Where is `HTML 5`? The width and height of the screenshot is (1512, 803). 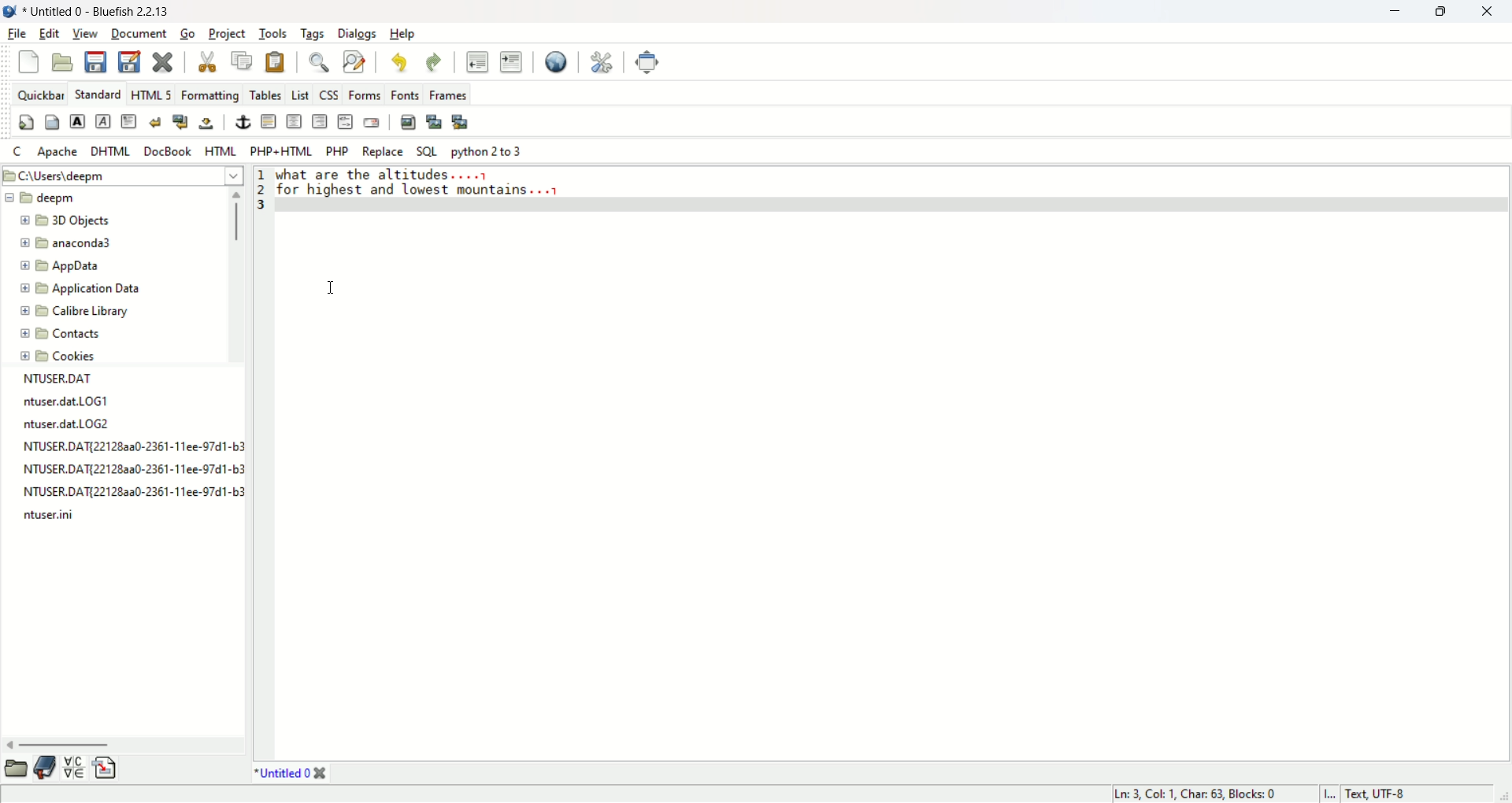
HTML 5 is located at coordinates (149, 94).